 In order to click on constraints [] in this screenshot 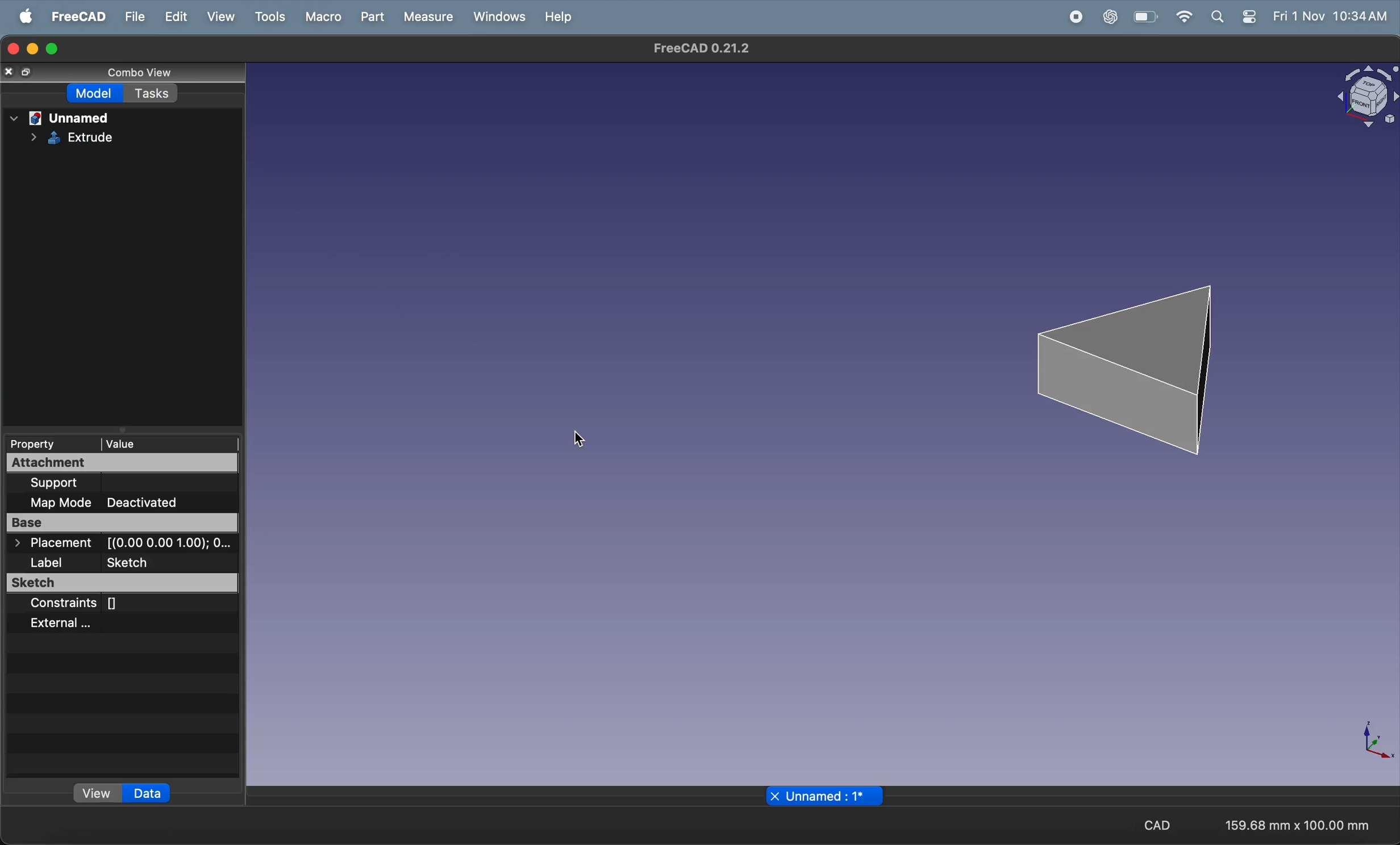, I will do `click(109, 604)`.